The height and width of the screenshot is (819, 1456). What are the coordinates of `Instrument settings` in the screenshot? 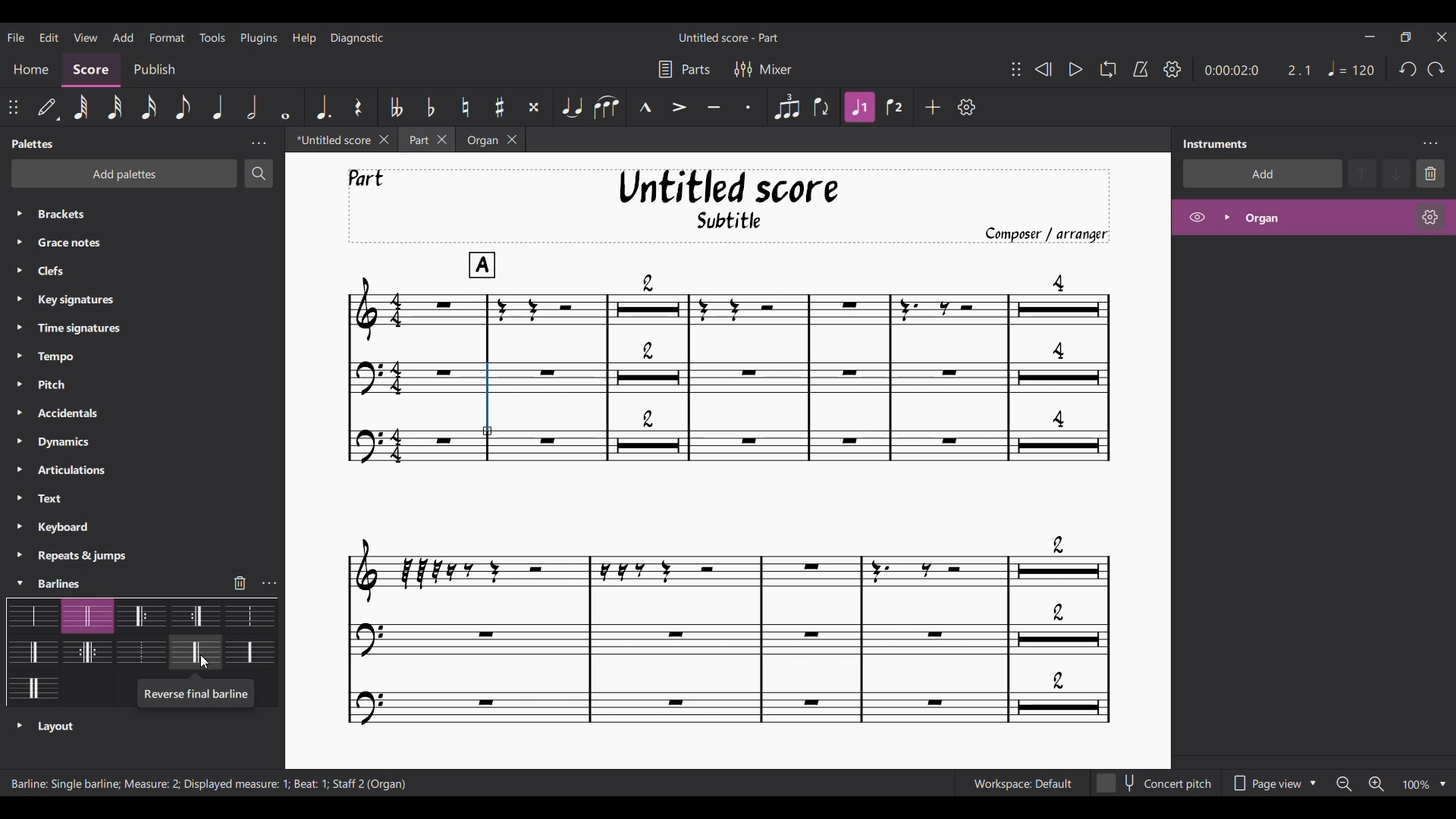 It's located at (1431, 144).